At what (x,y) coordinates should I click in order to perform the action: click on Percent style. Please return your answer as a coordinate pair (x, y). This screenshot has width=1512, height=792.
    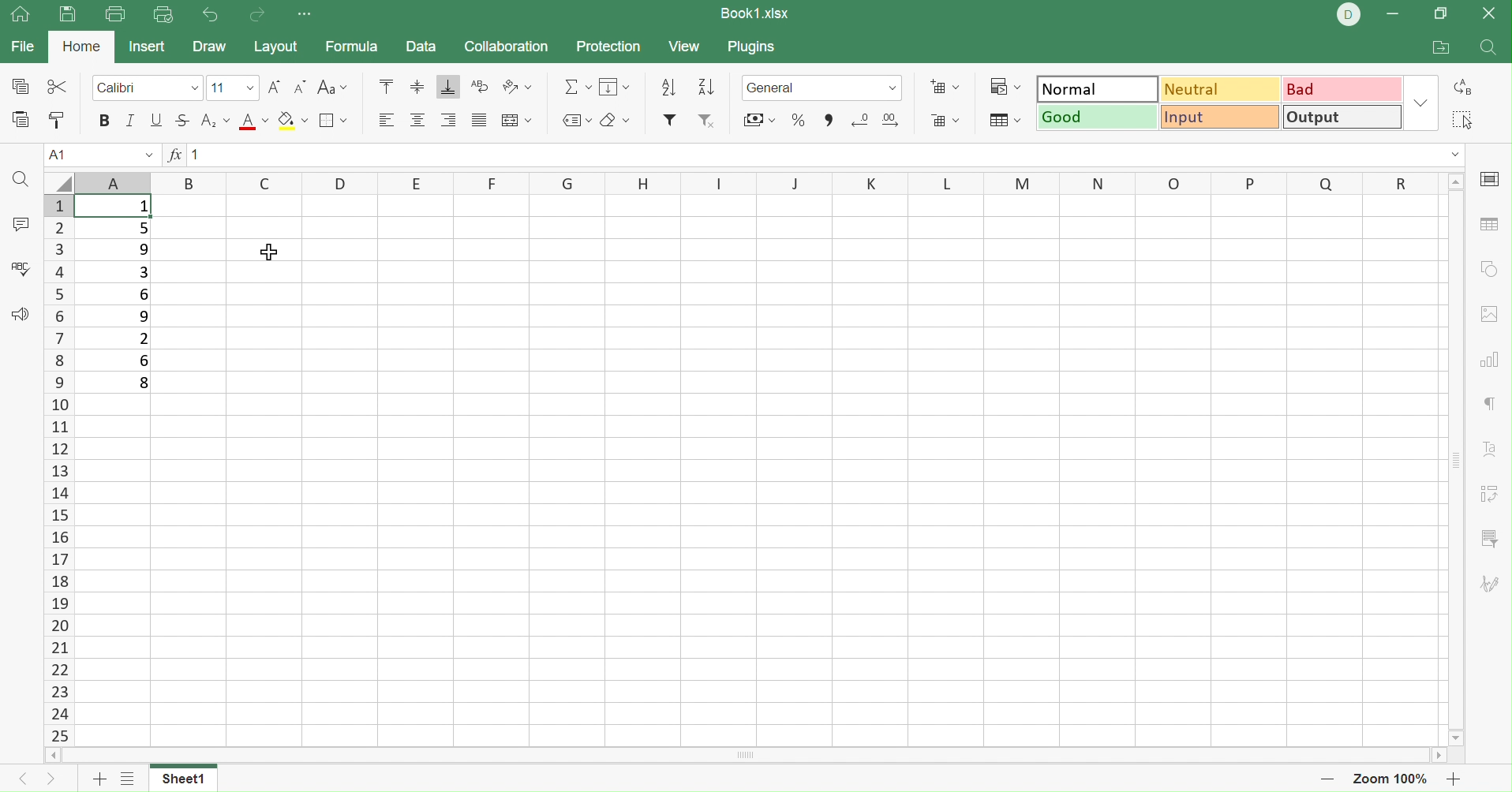
    Looking at the image, I should click on (800, 121).